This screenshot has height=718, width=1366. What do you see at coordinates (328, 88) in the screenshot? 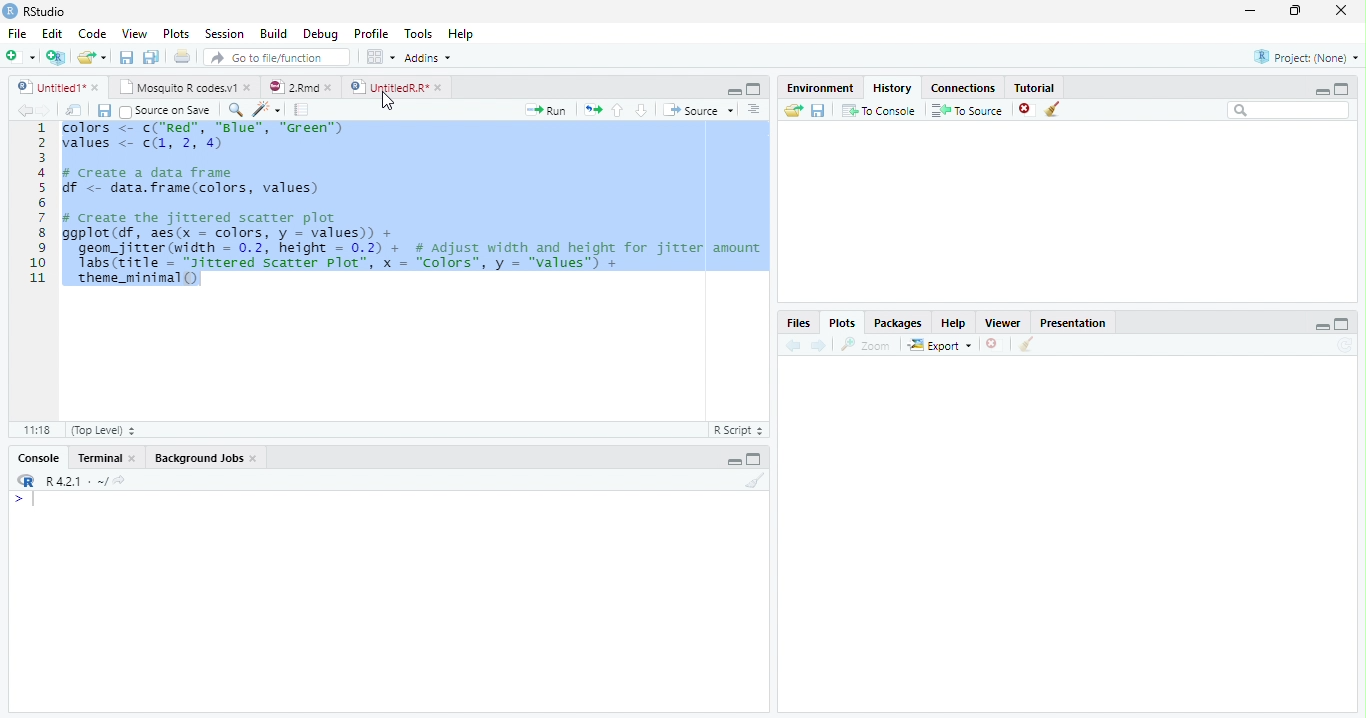
I see `close` at bounding box center [328, 88].